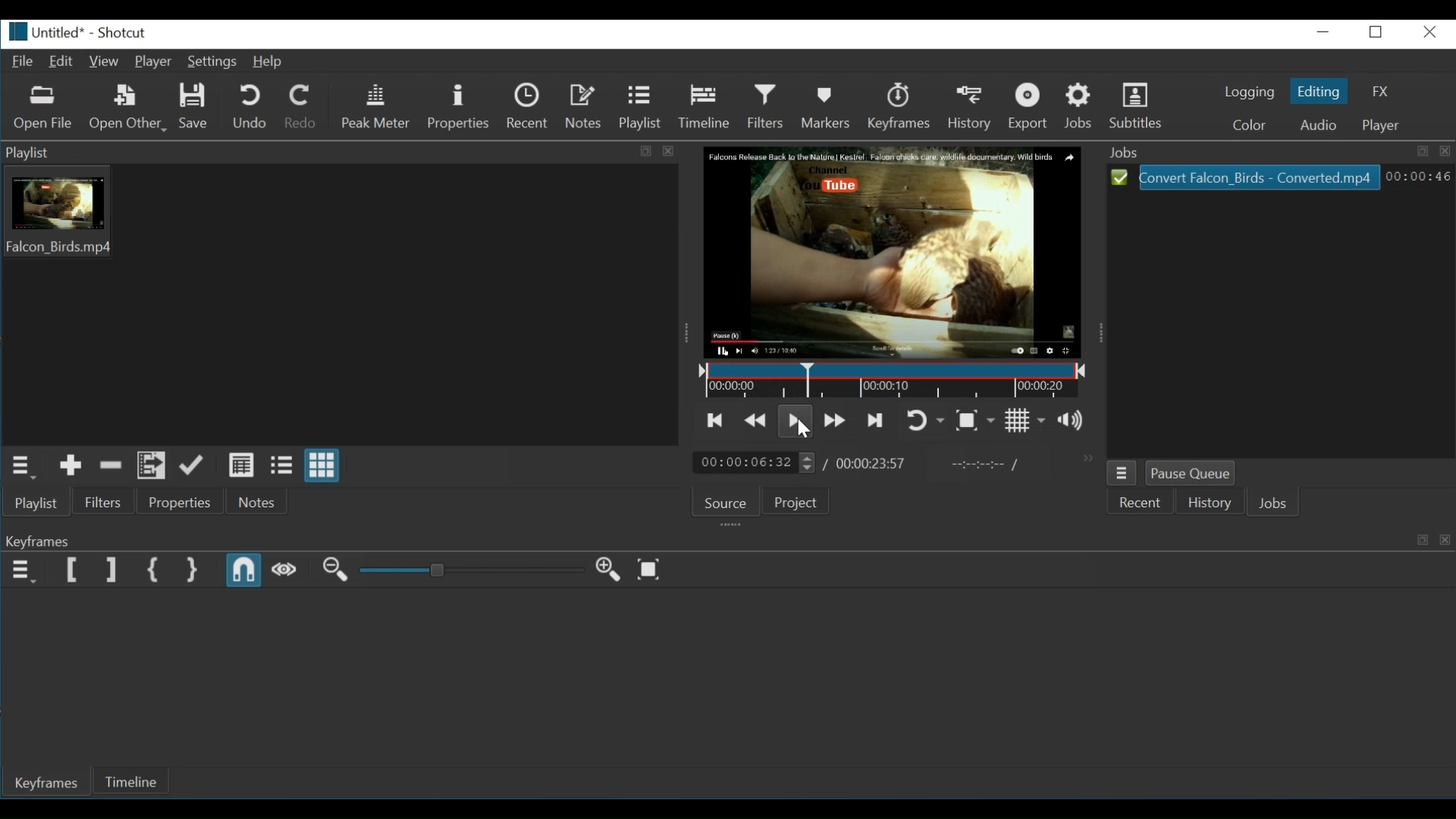 The image size is (1456, 819). Describe the element at coordinates (378, 108) in the screenshot. I see `Peak Meter` at that location.